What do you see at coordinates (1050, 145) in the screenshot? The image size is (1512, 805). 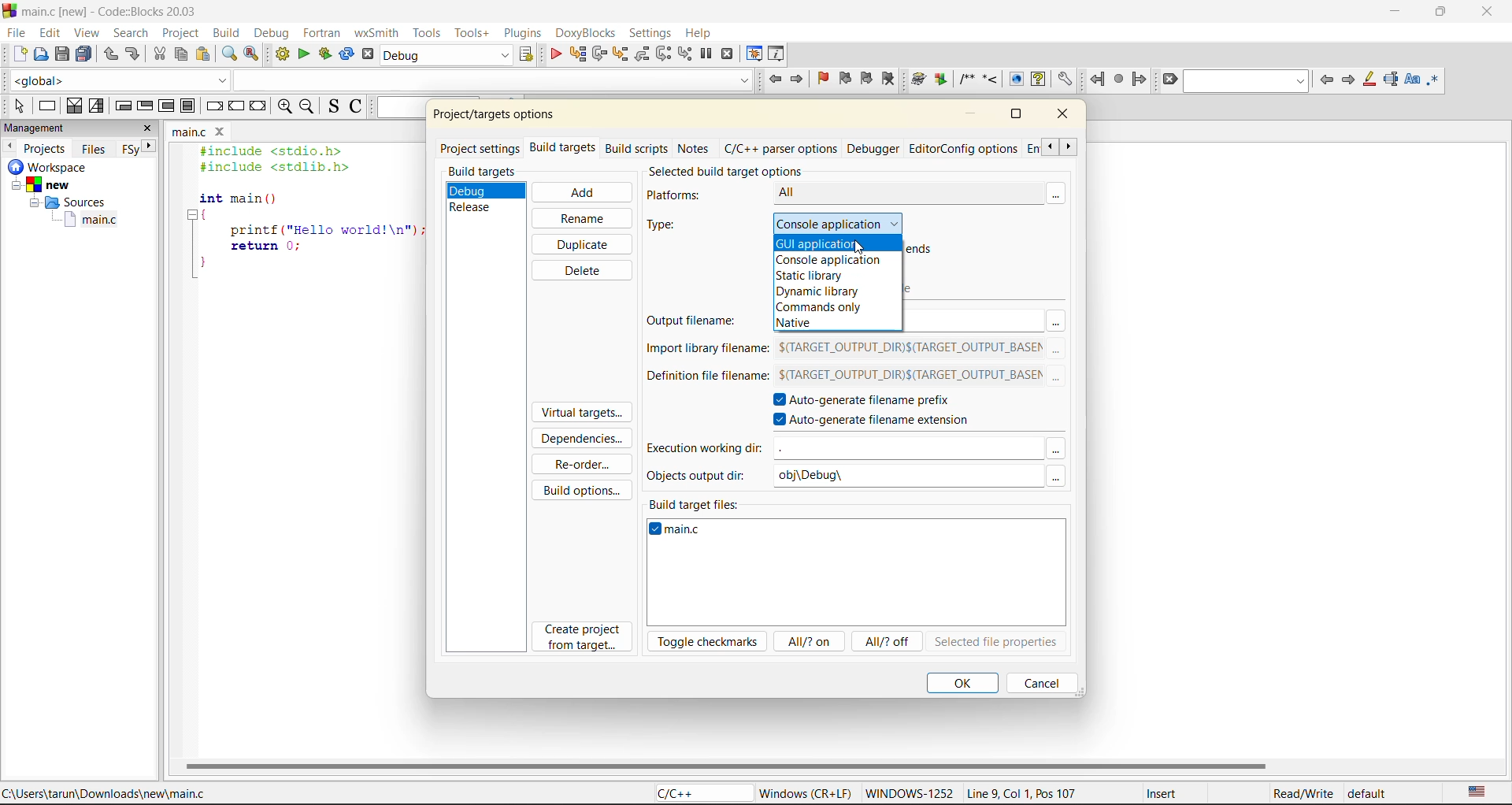 I see `scroll previous` at bounding box center [1050, 145].